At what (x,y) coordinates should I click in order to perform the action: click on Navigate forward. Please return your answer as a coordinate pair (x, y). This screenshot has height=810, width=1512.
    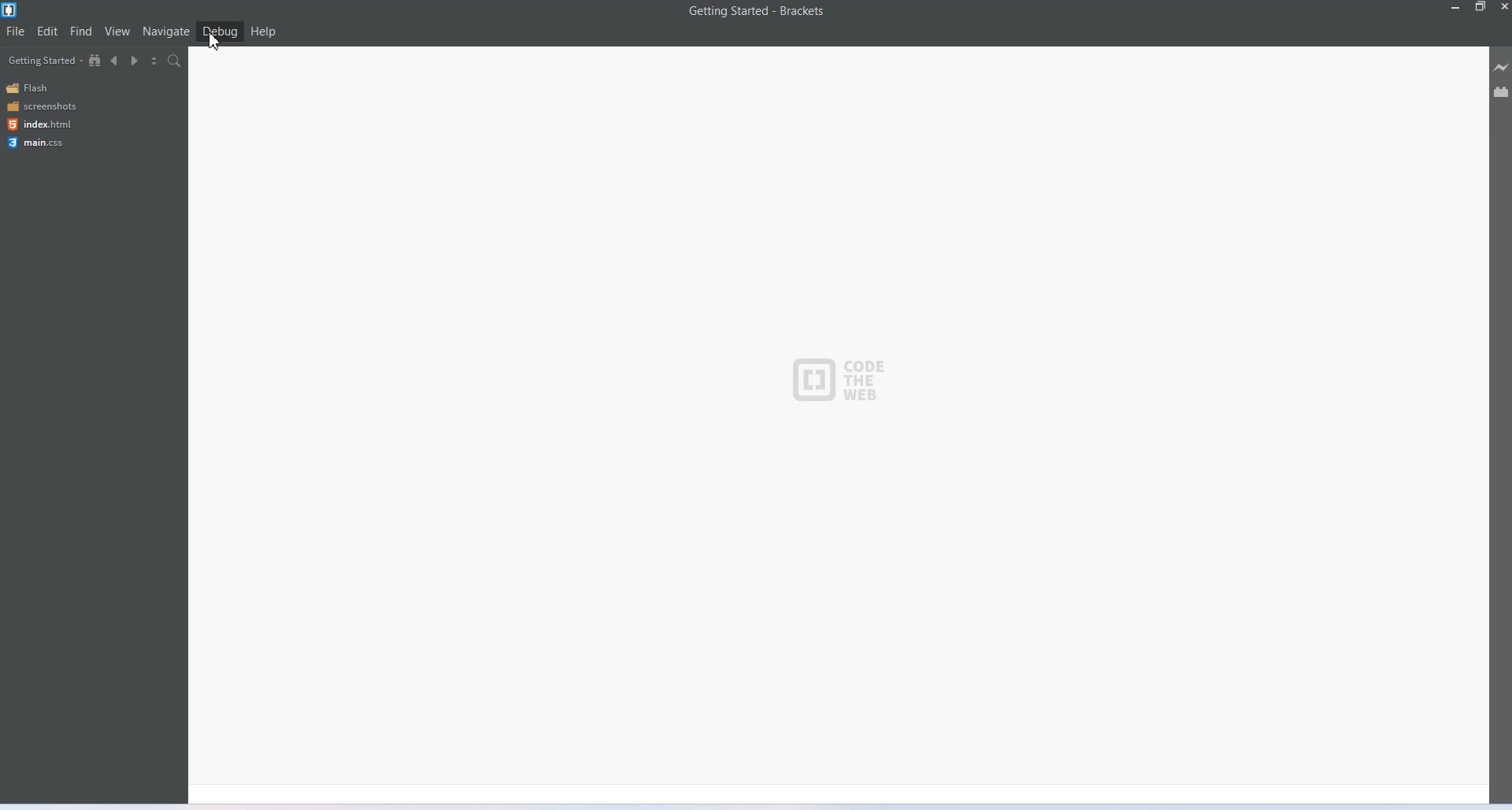
    Looking at the image, I should click on (135, 61).